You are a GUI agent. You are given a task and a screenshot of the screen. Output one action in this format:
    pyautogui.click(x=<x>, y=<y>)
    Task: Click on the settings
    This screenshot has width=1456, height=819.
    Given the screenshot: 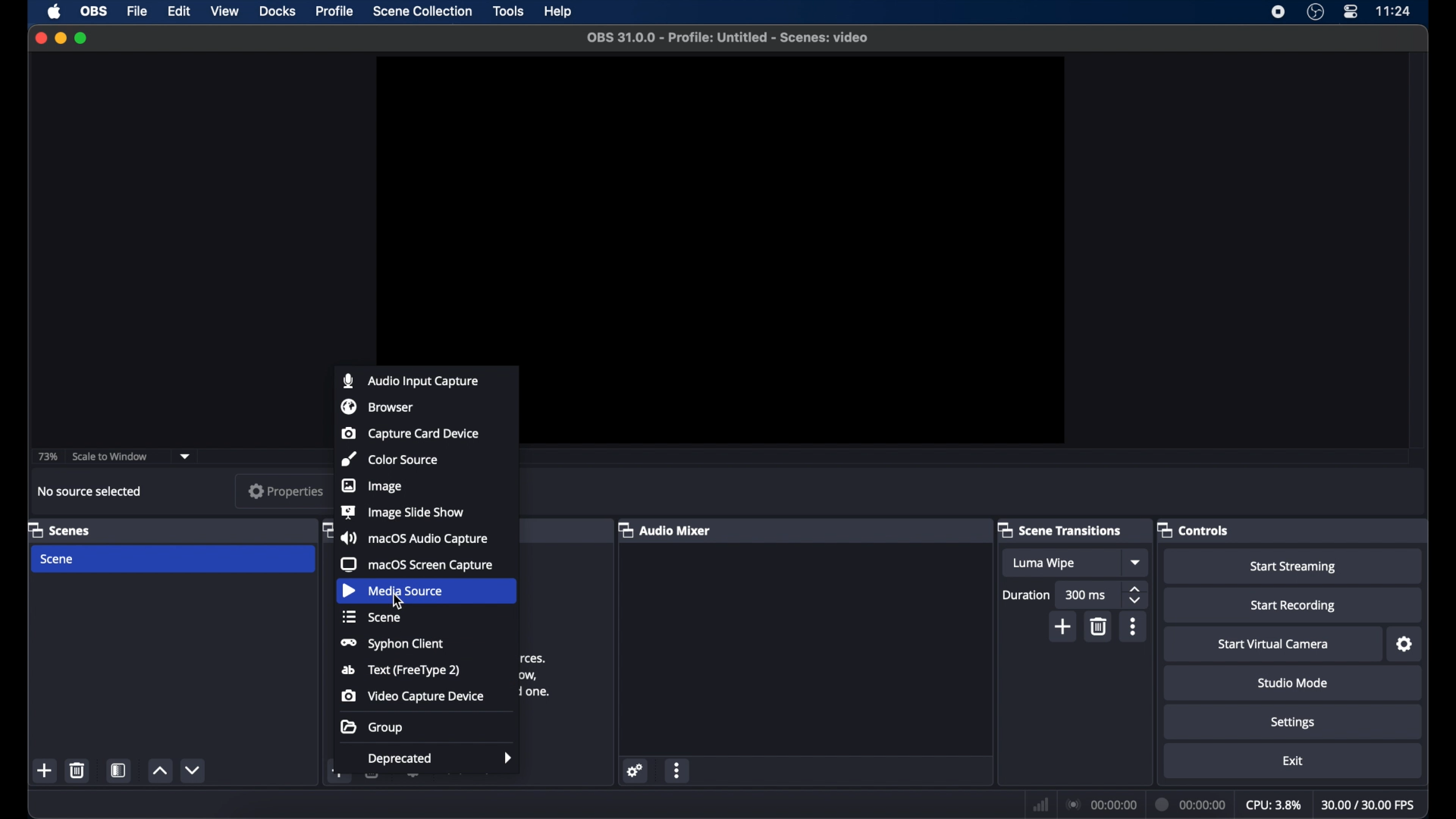 What is the action you would take?
    pyautogui.click(x=1405, y=645)
    